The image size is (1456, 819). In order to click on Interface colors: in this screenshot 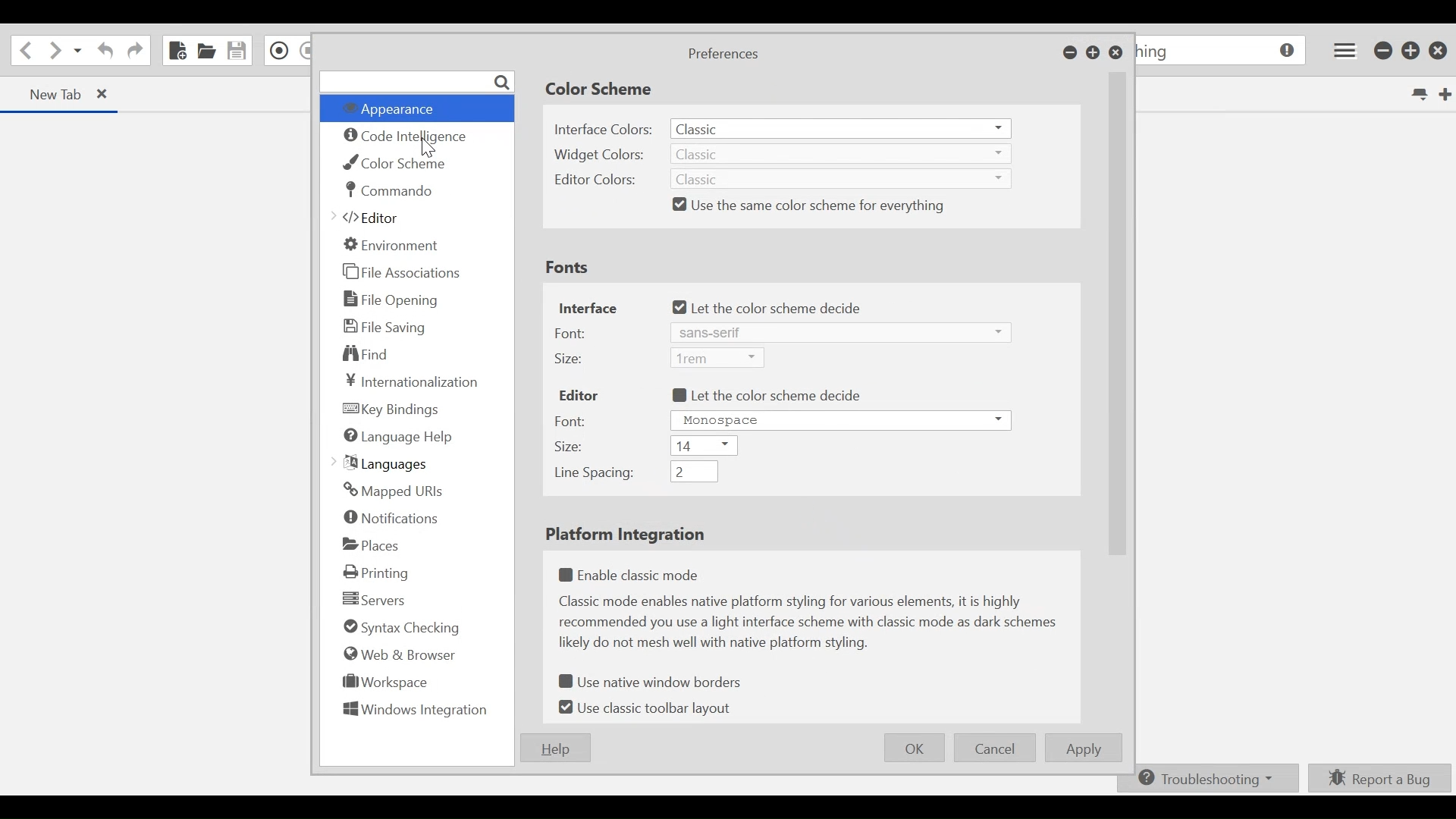, I will do `click(601, 130)`.